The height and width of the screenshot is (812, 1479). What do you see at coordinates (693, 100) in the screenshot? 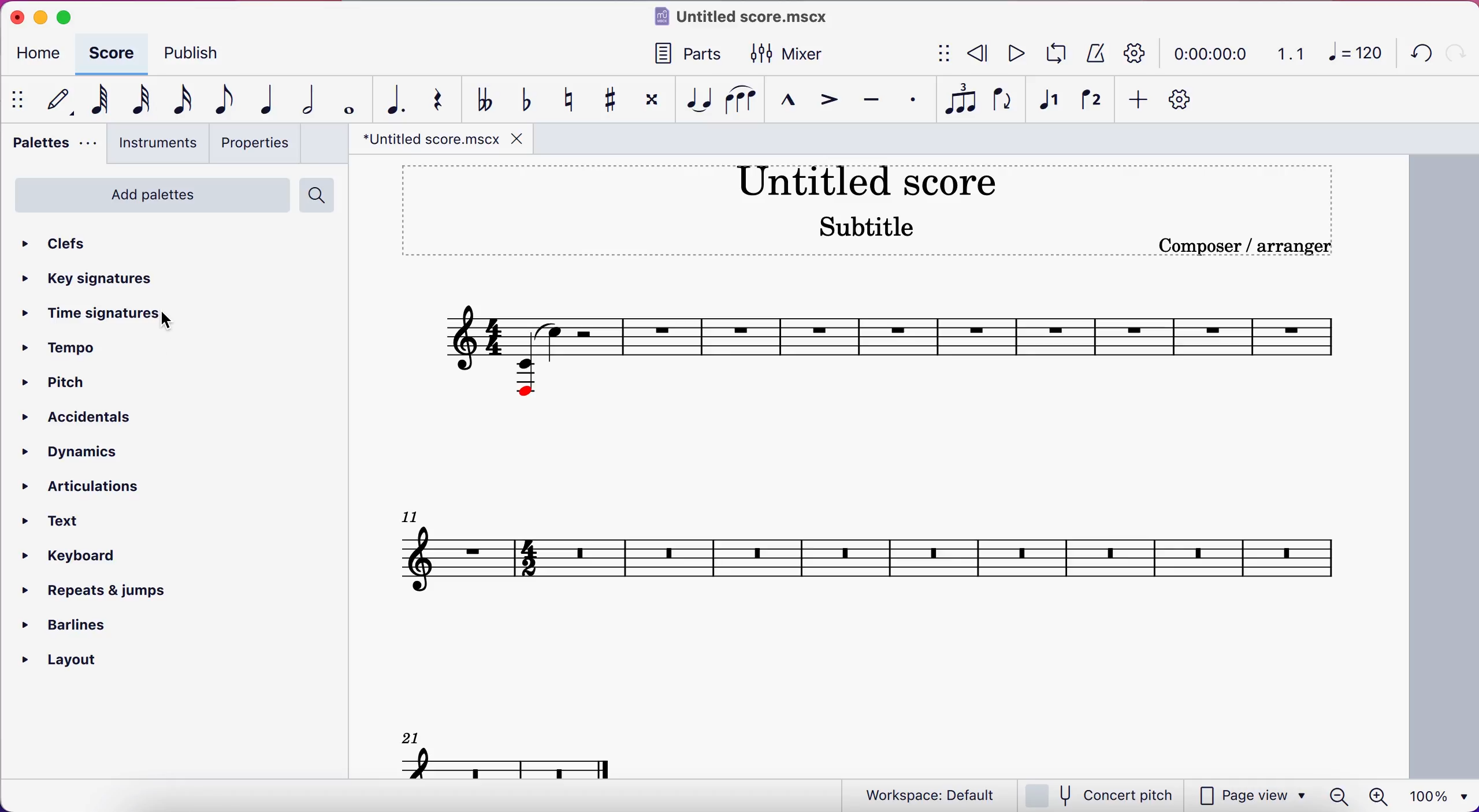
I see `tie` at bounding box center [693, 100].